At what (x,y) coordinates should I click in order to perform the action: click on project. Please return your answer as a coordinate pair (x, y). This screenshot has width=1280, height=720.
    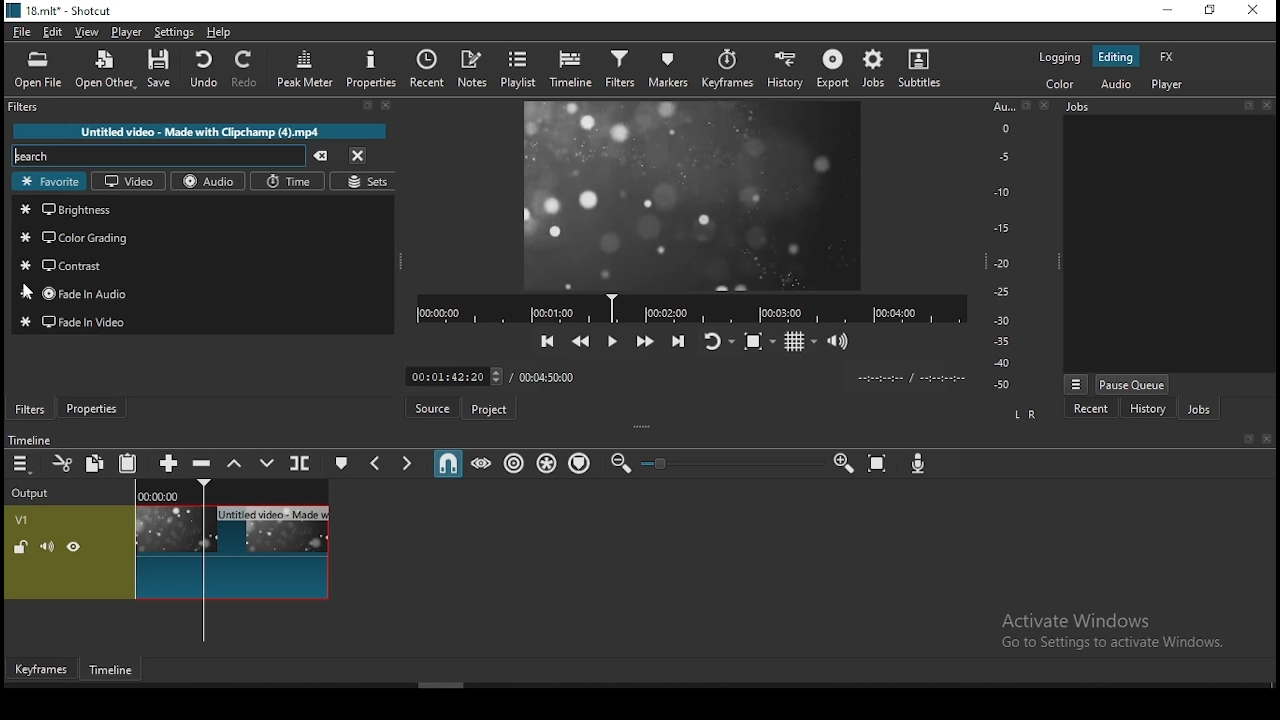
    Looking at the image, I should click on (487, 410).